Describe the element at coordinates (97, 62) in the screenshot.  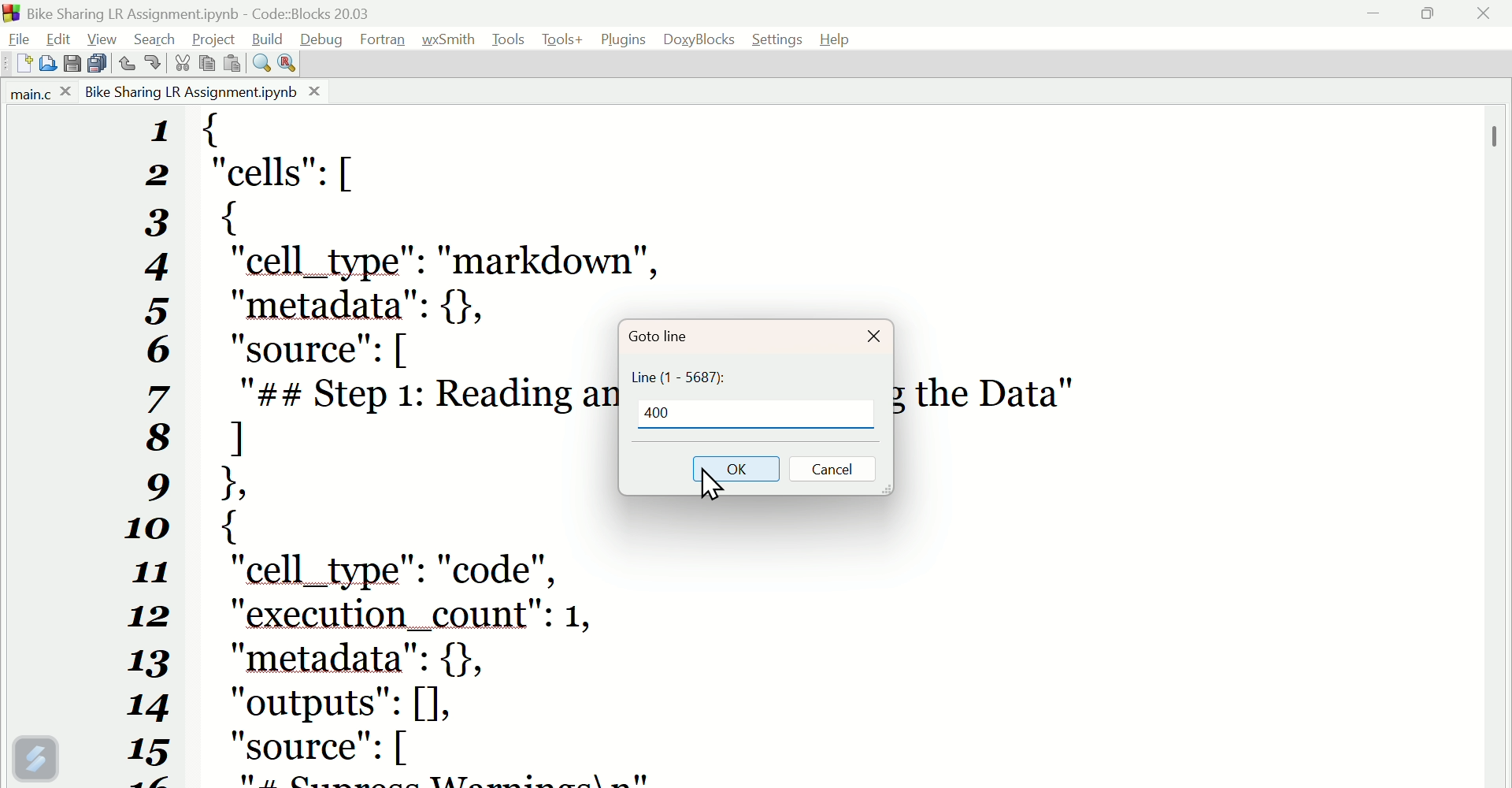
I see `Save all` at that location.